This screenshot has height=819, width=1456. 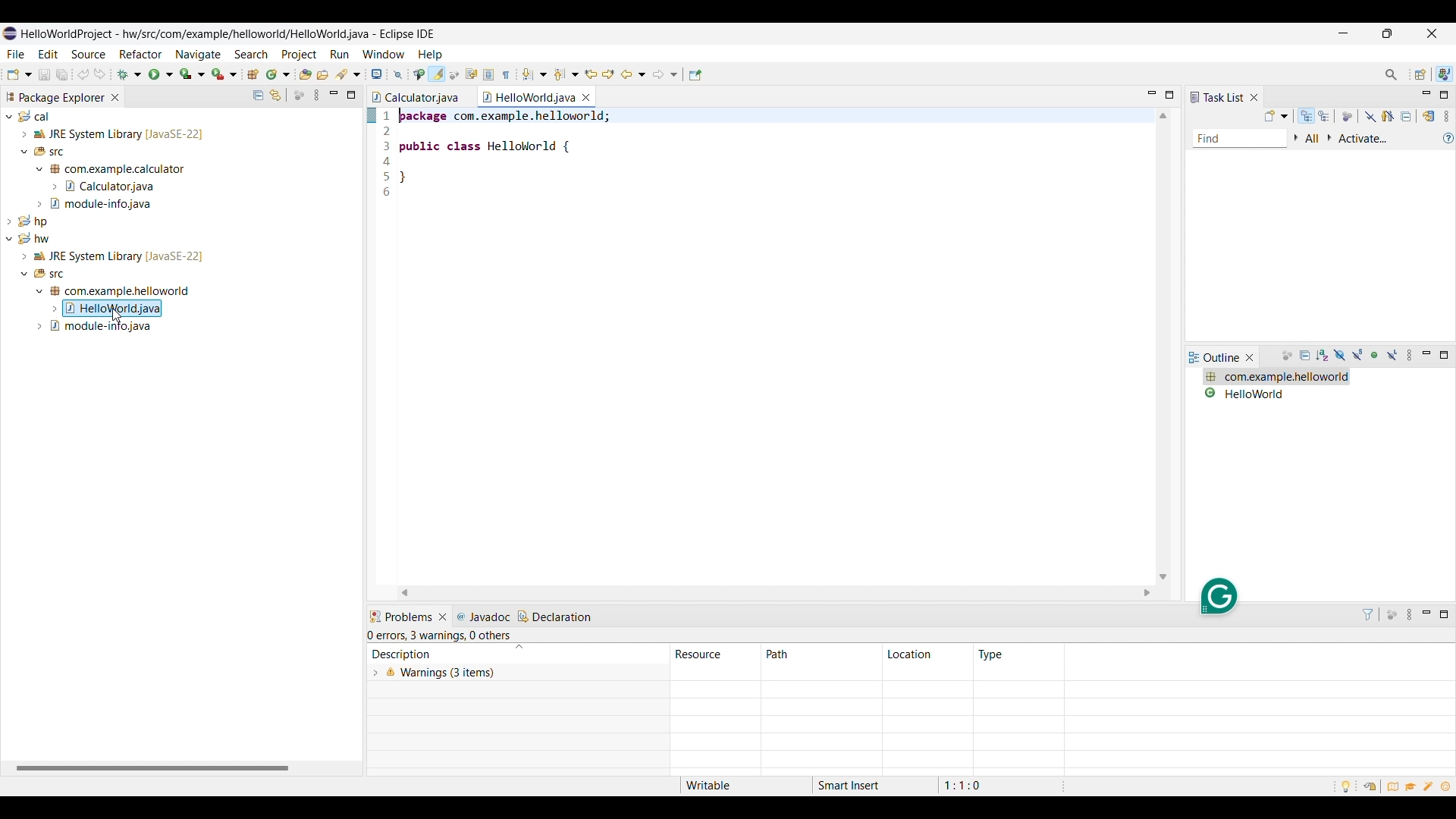 What do you see at coordinates (1411, 356) in the screenshot?
I see `View menu` at bounding box center [1411, 356].